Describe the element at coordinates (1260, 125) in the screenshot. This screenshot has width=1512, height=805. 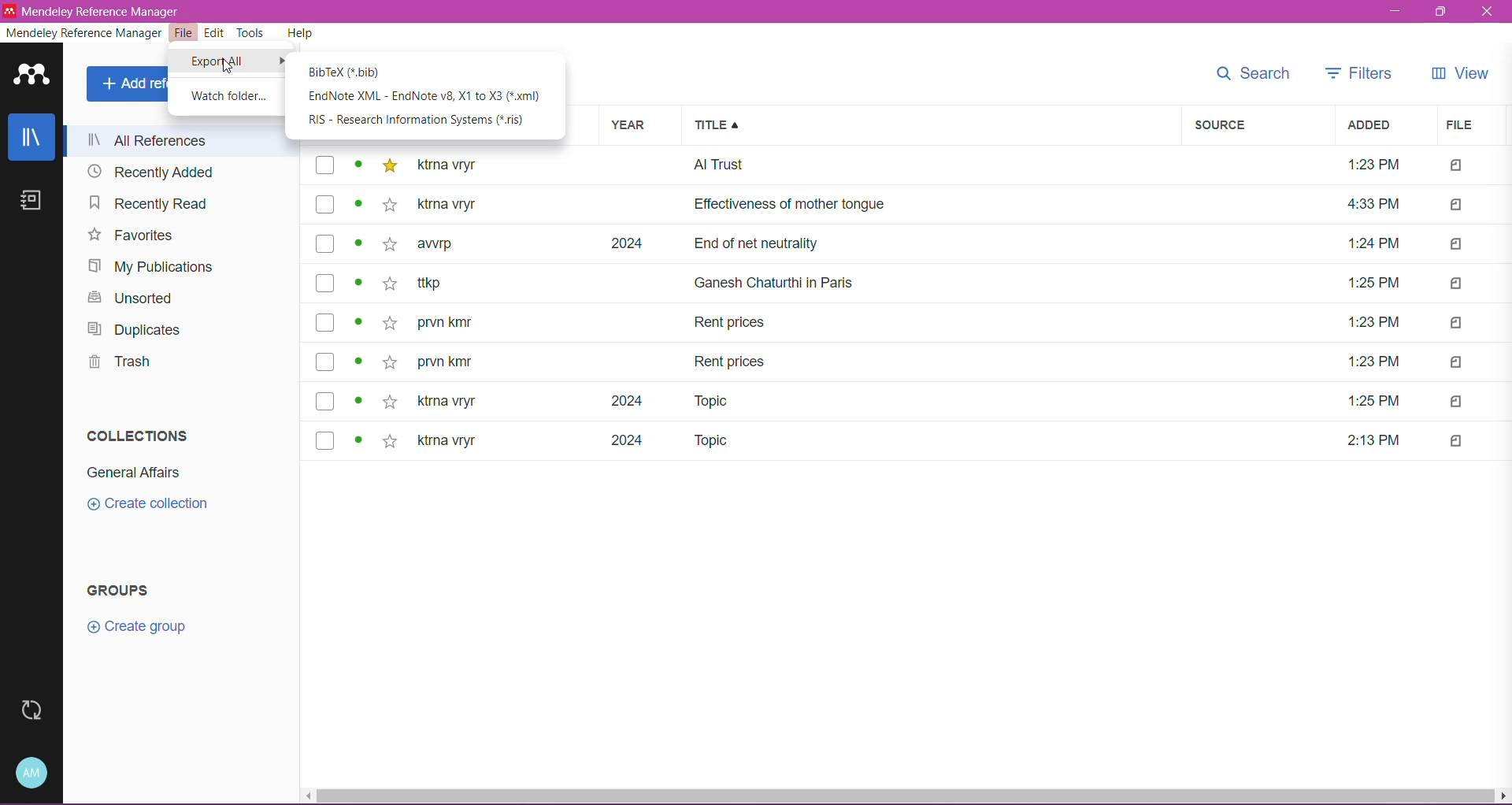
I see `Source` at that location.